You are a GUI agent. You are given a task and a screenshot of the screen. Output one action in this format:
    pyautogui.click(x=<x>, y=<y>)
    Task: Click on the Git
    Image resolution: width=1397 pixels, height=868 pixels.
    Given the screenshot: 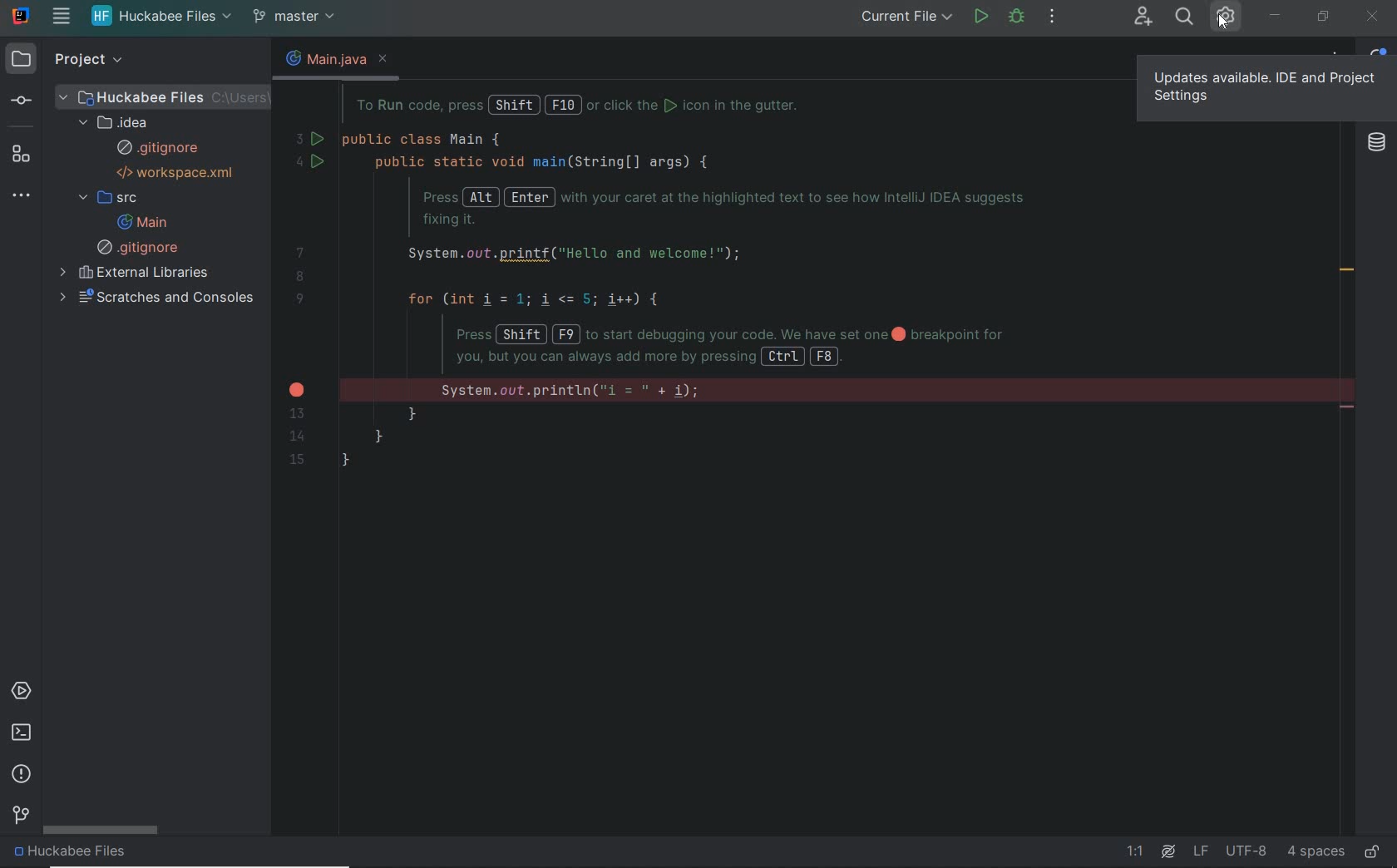 What is the action you would take?
    pyautogui.click(x=19, y=817)
    